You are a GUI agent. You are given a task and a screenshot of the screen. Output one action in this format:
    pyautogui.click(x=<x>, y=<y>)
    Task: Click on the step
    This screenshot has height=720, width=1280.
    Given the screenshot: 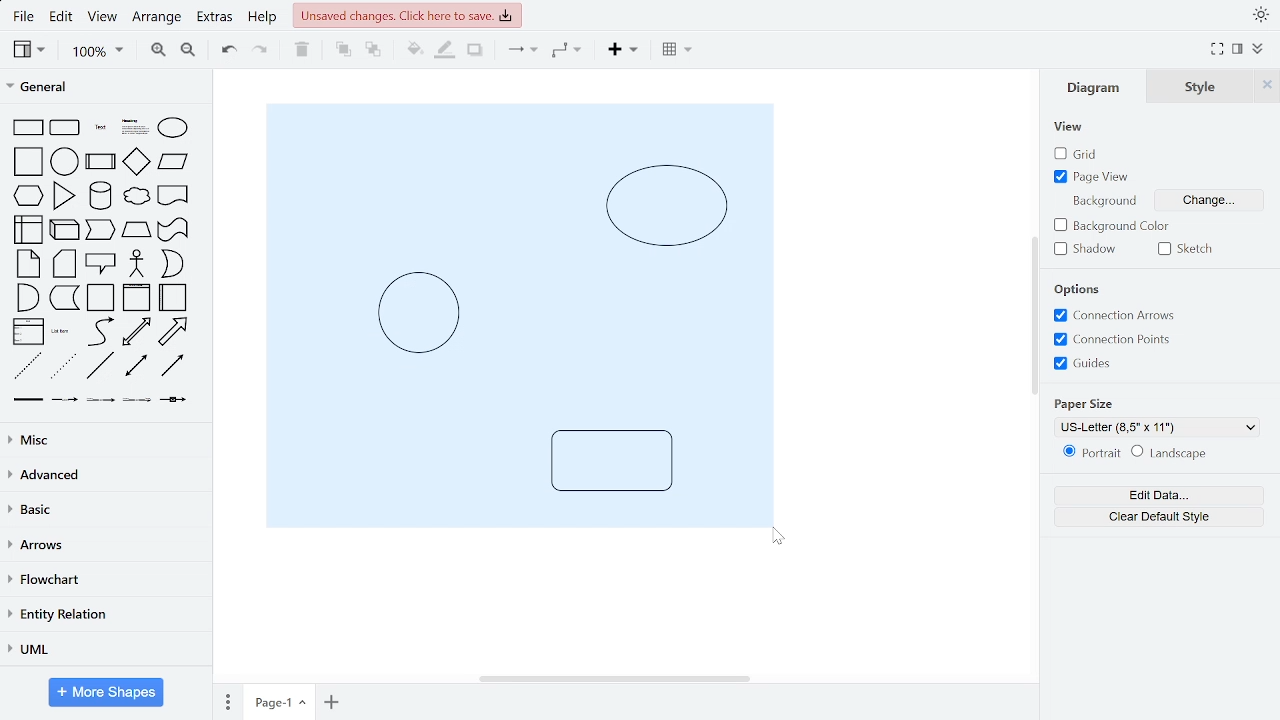 What is the action you would take?
    pyautogui.click(x=100, y=231)
    